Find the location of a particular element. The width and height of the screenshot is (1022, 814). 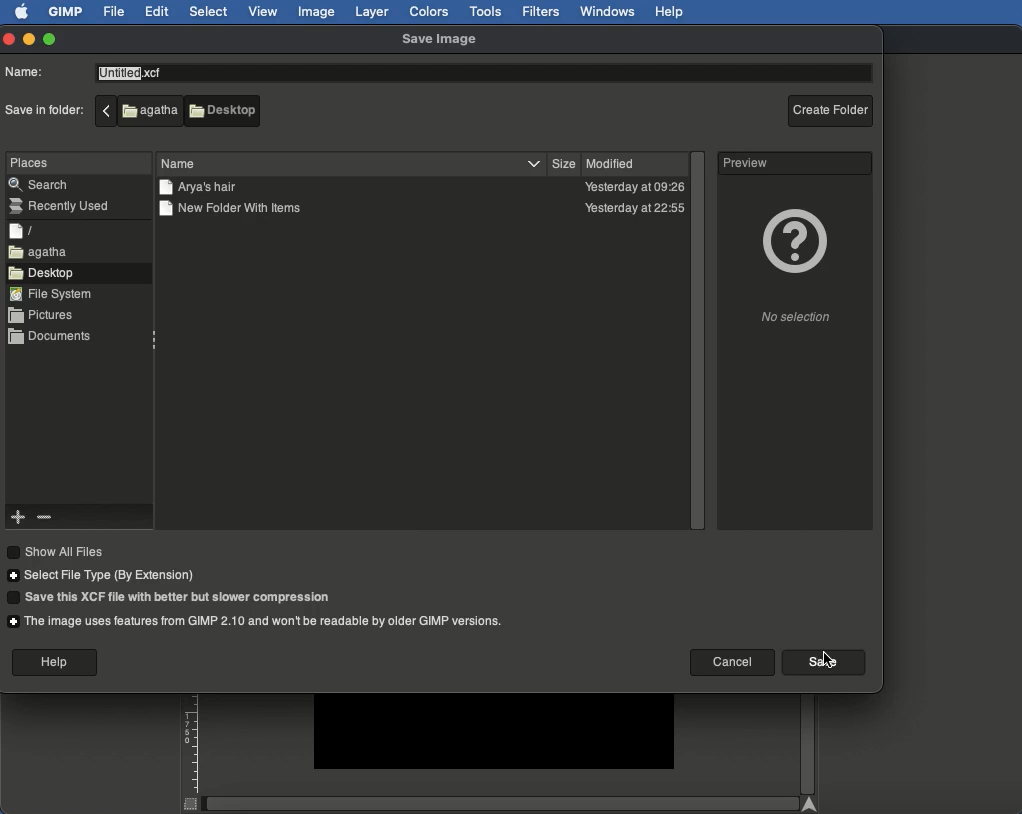

Collapse is located at coordinates (155, 341).